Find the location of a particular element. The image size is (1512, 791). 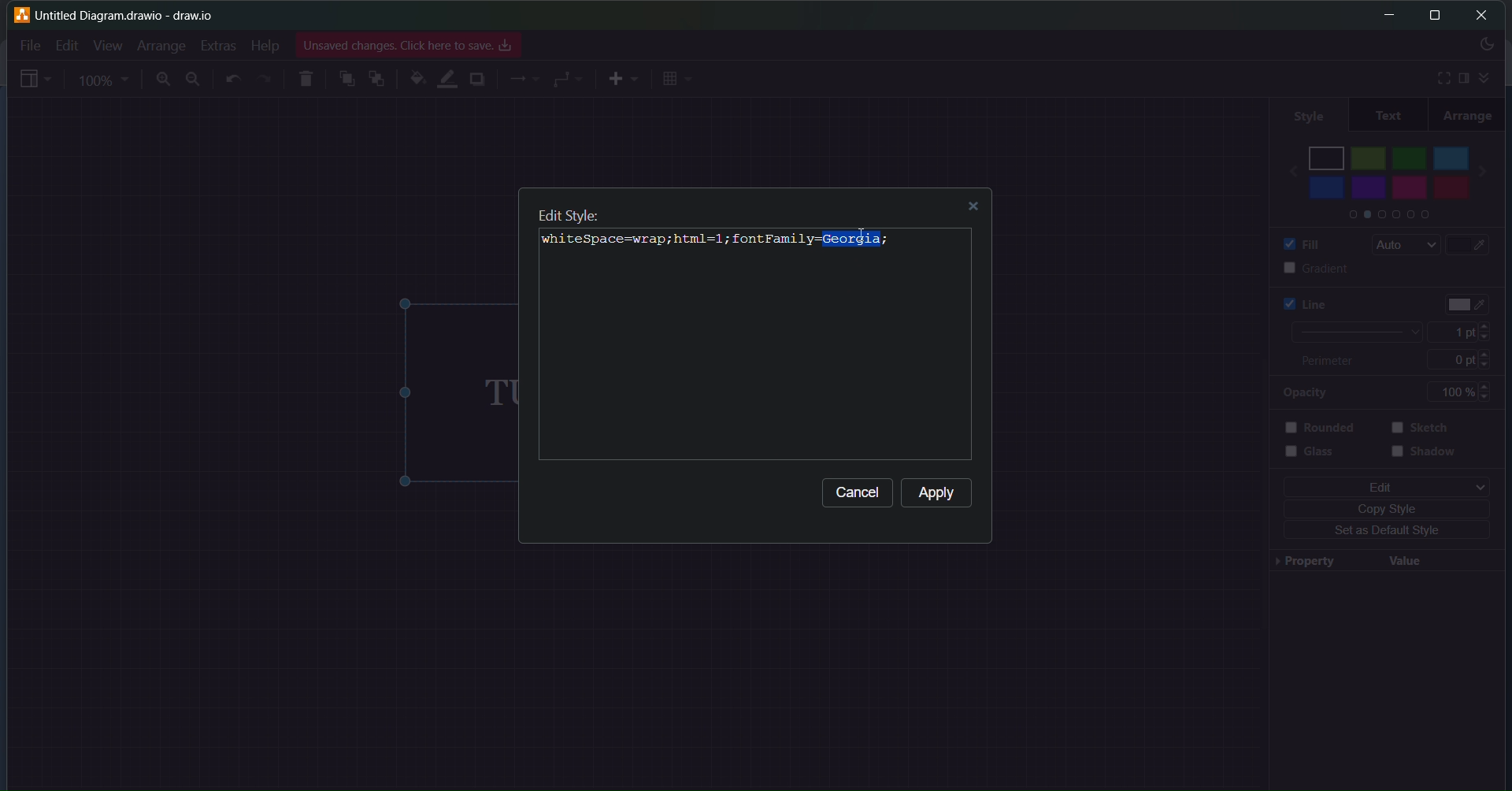

arrange is located at coordinates (1469, 115).